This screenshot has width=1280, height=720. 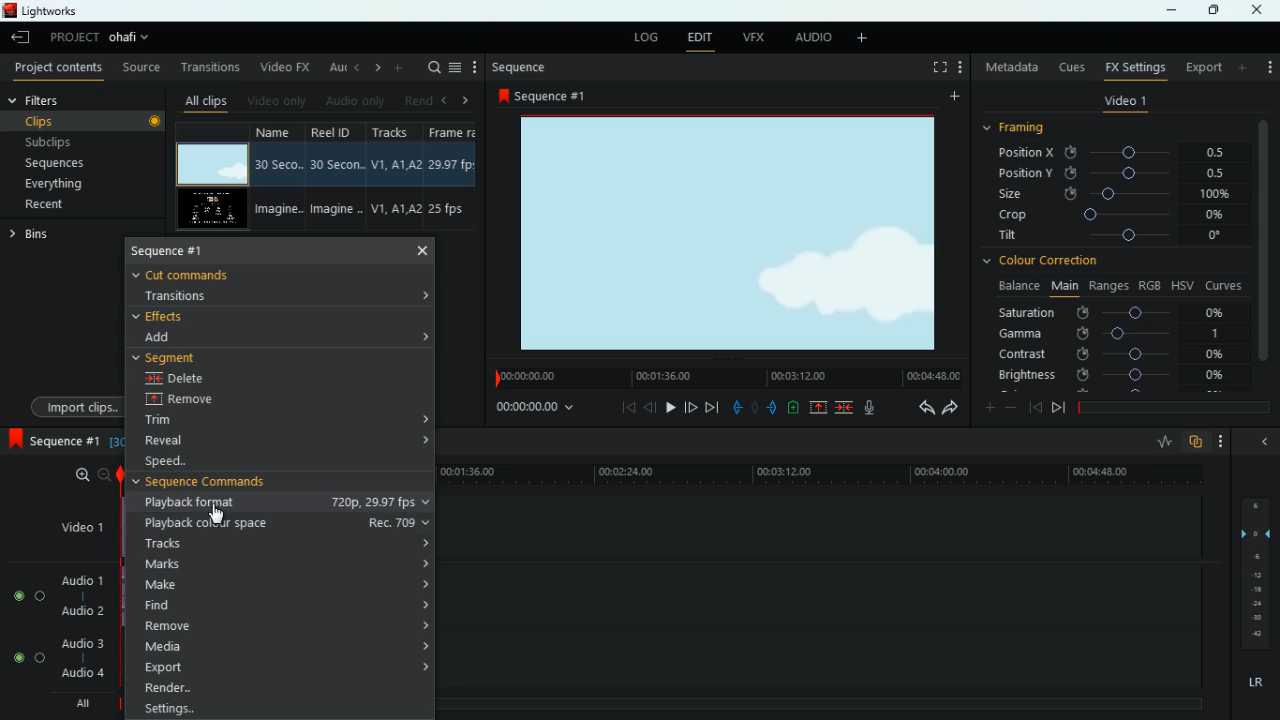 I want to click on forward, so click(x=712, y=408).